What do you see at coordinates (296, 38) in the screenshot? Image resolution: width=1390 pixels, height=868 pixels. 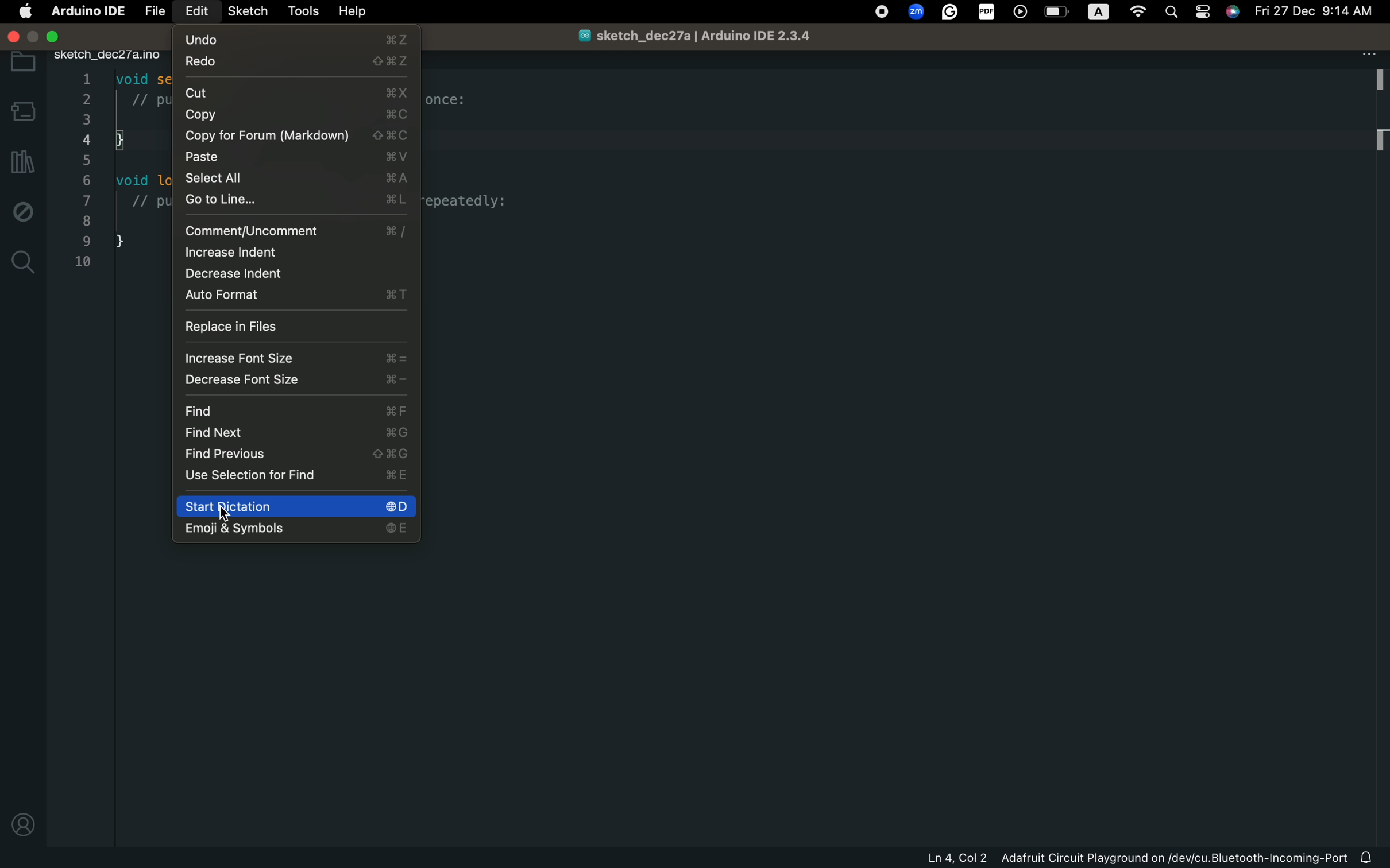 I see `undo` at bounding box center [296, 38].